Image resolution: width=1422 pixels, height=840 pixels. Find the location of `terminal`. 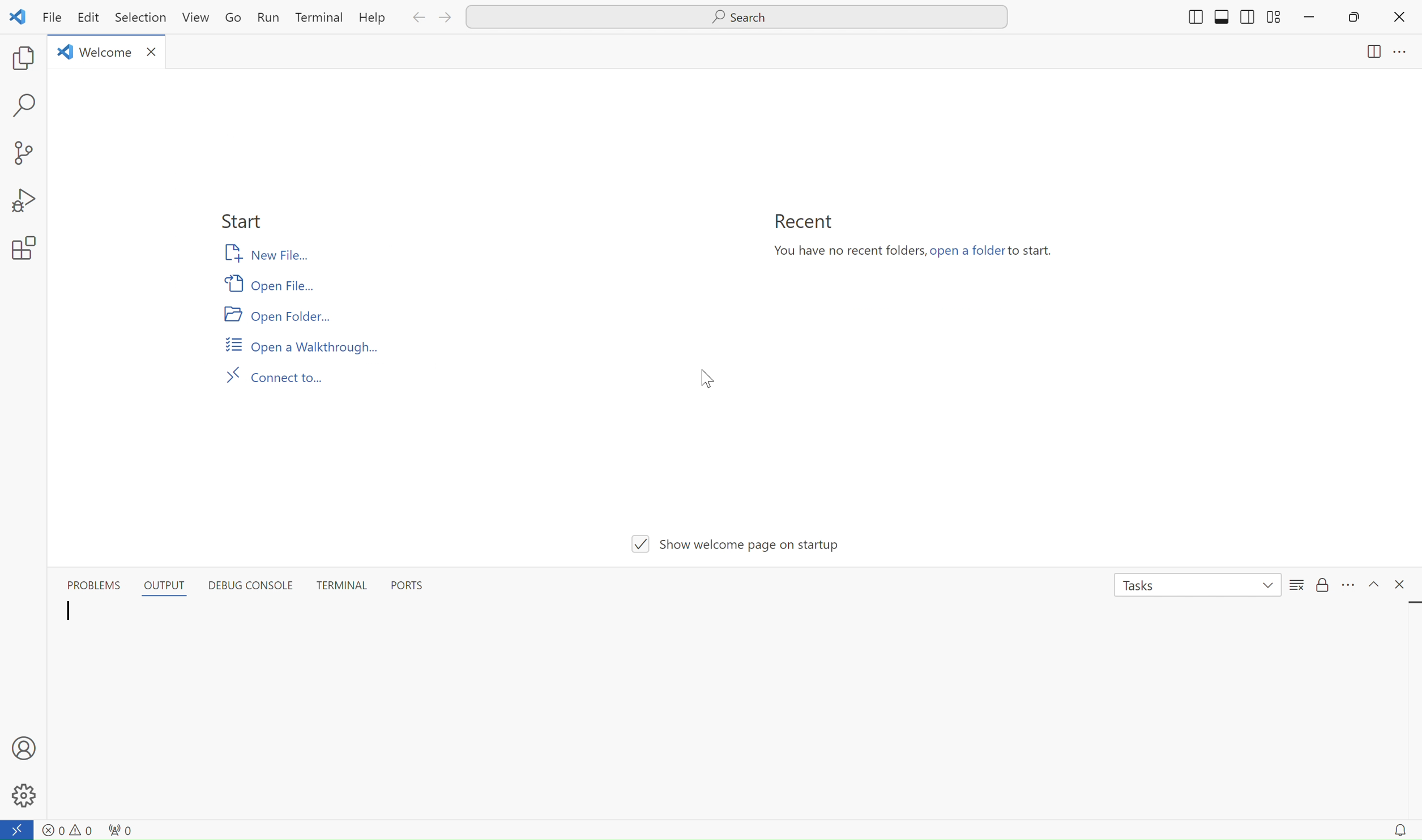

terminal is located at coordinates (341, 587).